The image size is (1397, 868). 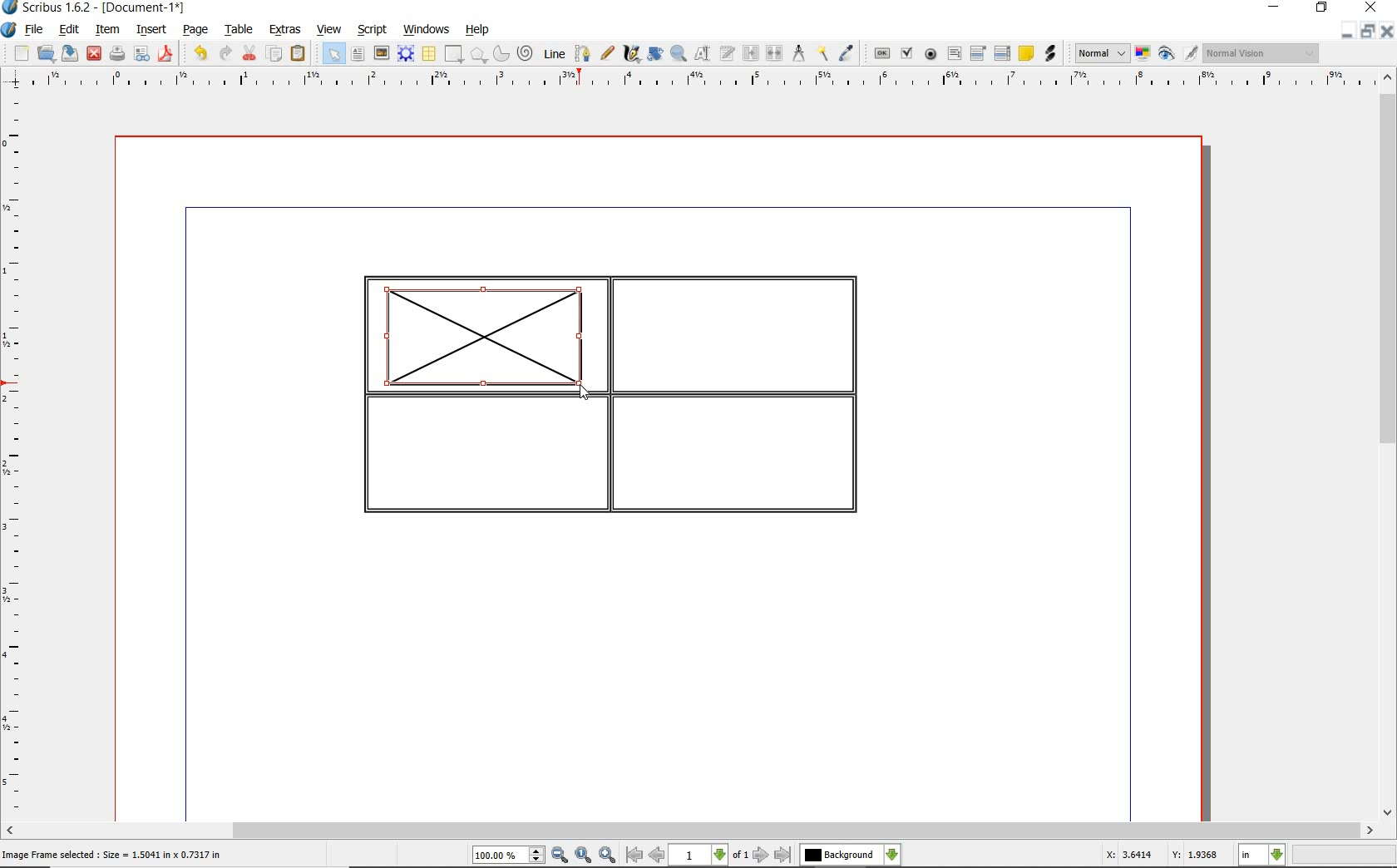 What do you see at coordinates (47, 54) in the screenshot?
I see `open` at bounding box center [47, 54].